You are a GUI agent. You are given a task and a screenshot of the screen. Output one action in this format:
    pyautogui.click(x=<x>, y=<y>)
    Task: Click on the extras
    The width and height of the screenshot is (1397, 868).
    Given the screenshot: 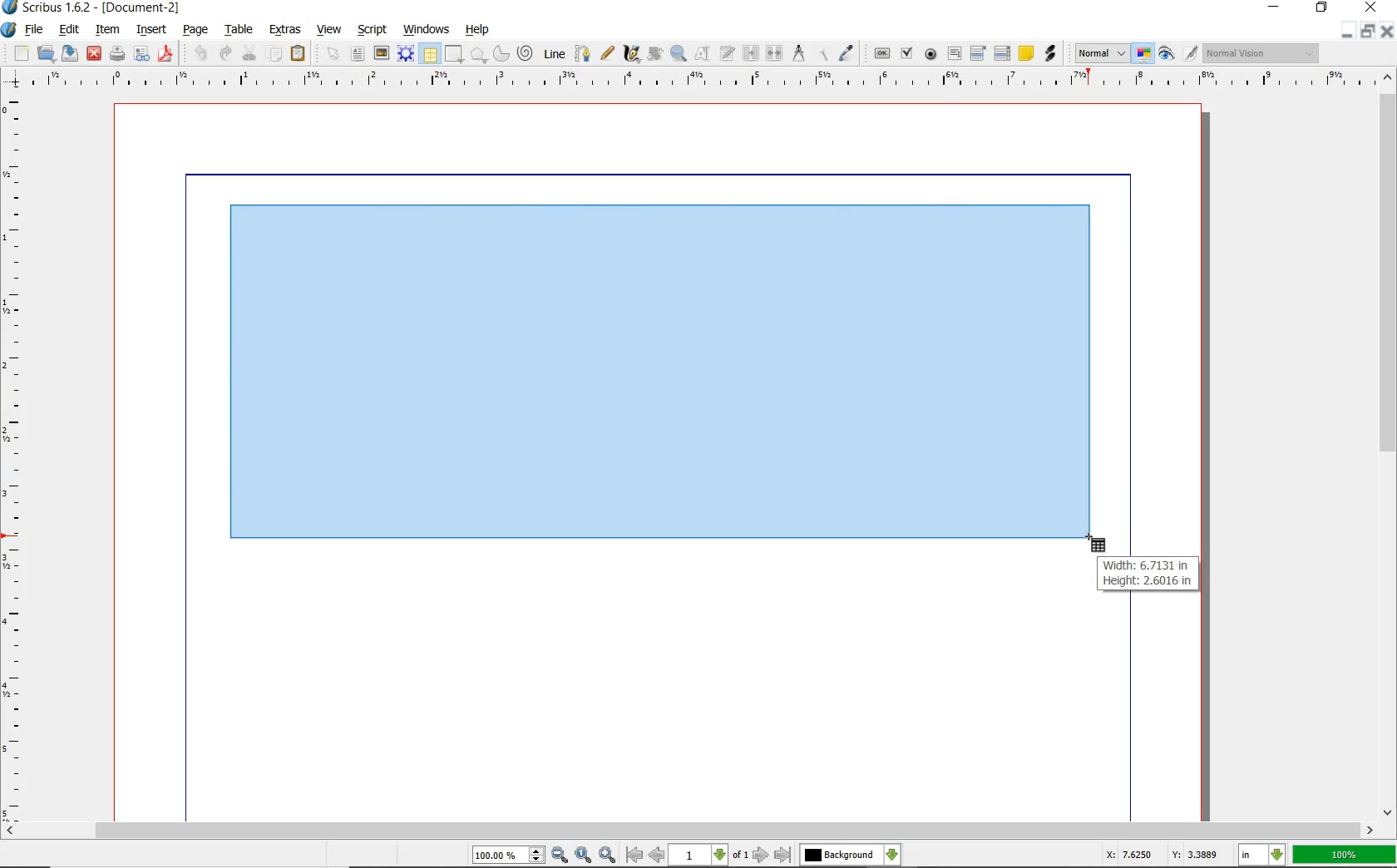 What is the action you would take?
    pyautogui.click(x=284, y=30)
    